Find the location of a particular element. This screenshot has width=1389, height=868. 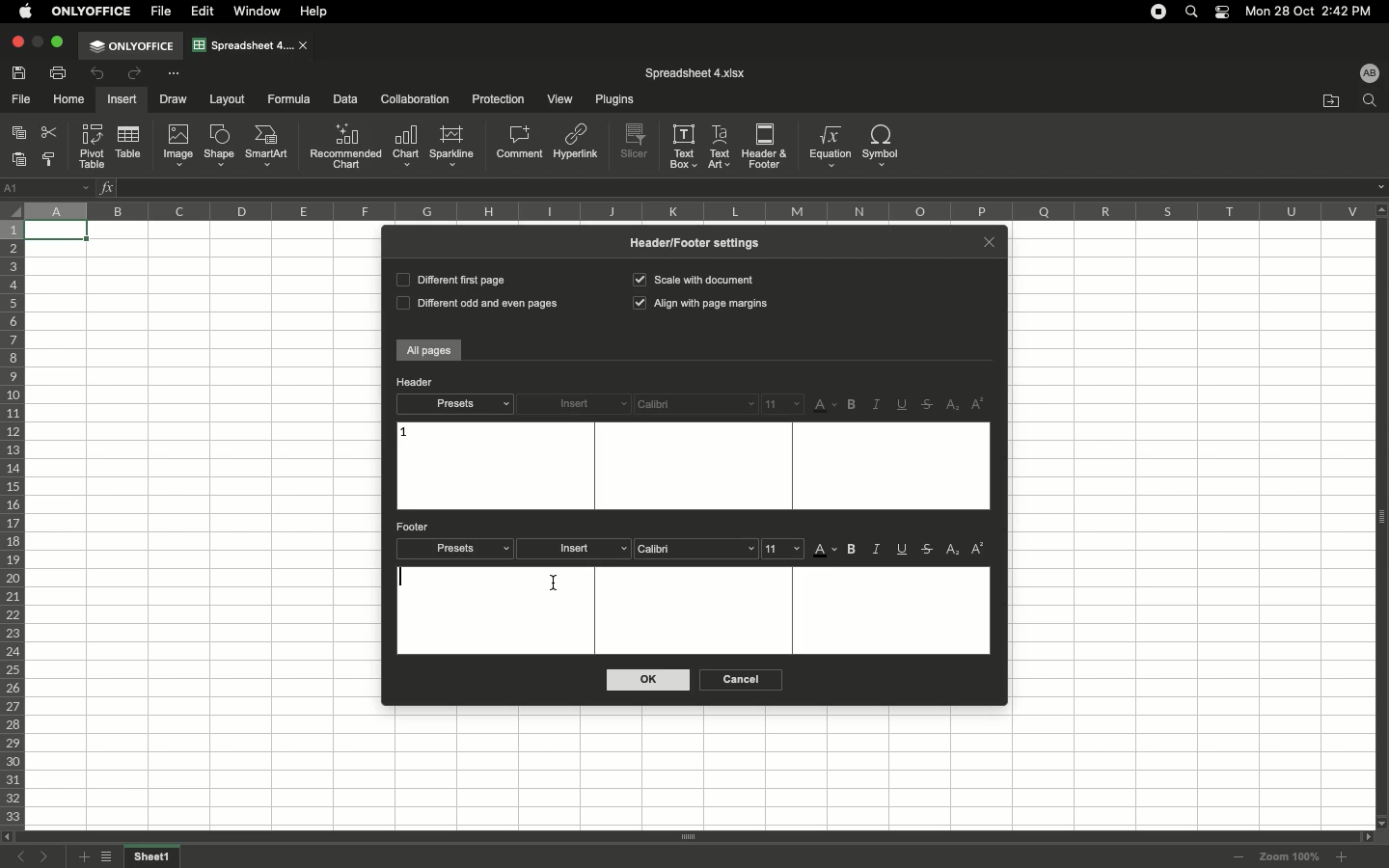

Strikethrough is located at coordinates (928, 550).